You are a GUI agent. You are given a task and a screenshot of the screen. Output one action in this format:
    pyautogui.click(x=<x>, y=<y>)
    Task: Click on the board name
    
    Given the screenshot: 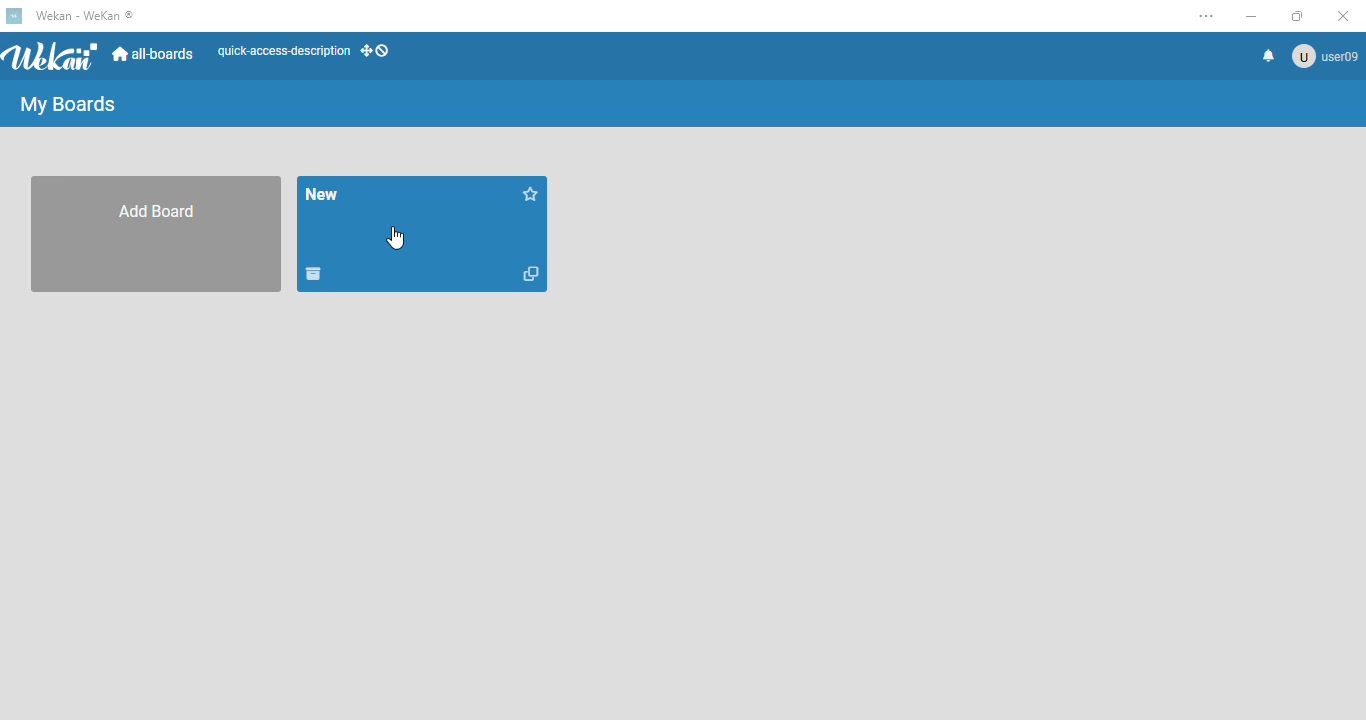 What is the action you would take?
    pyautogui.click(x=321, y=194)
    